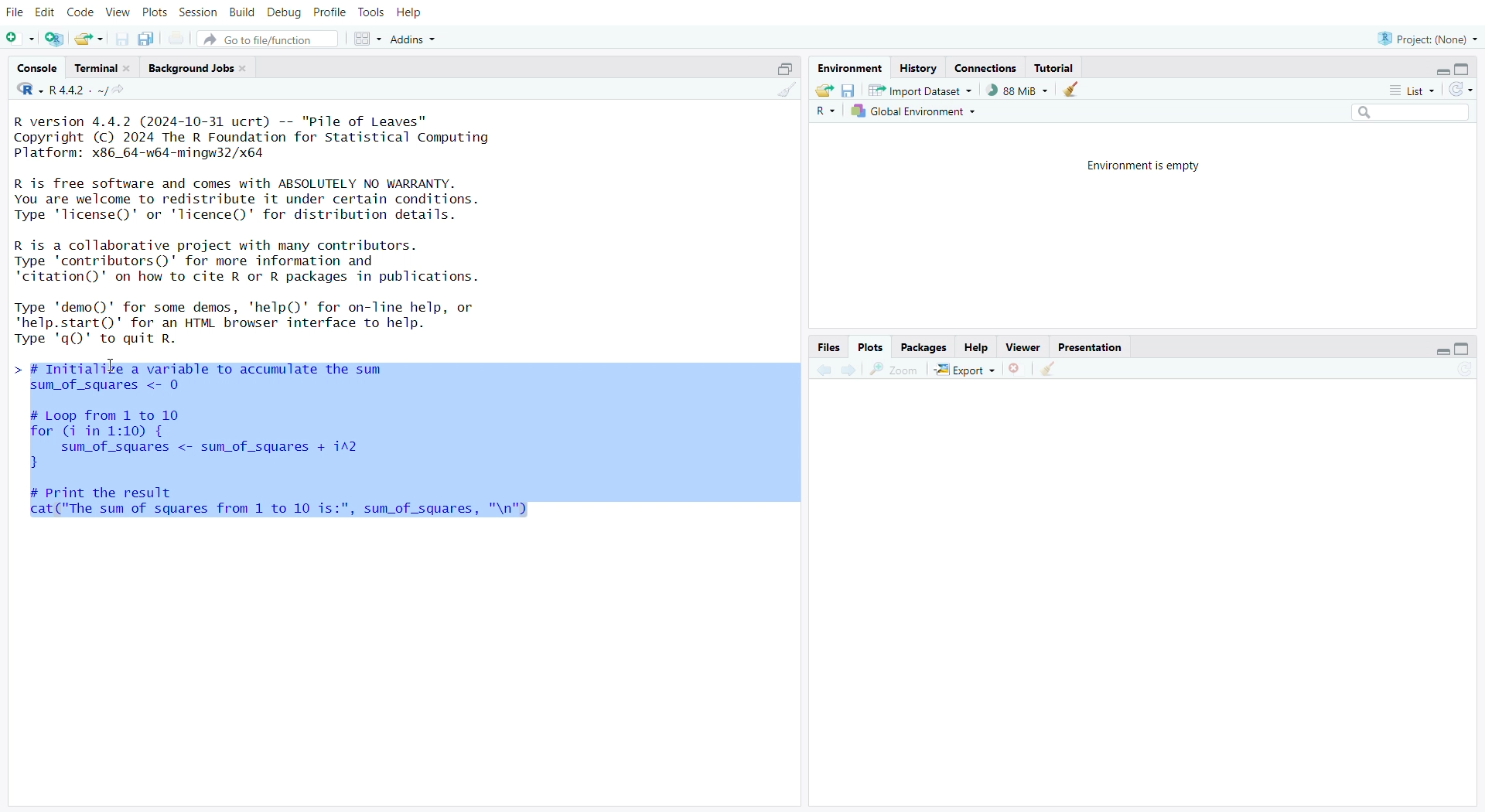 The width and height of the screenshot is (1485, 812). What do you see at coordinates (873, 346) in the screenshot?
I see `plots` at bounding box center [873, 346].